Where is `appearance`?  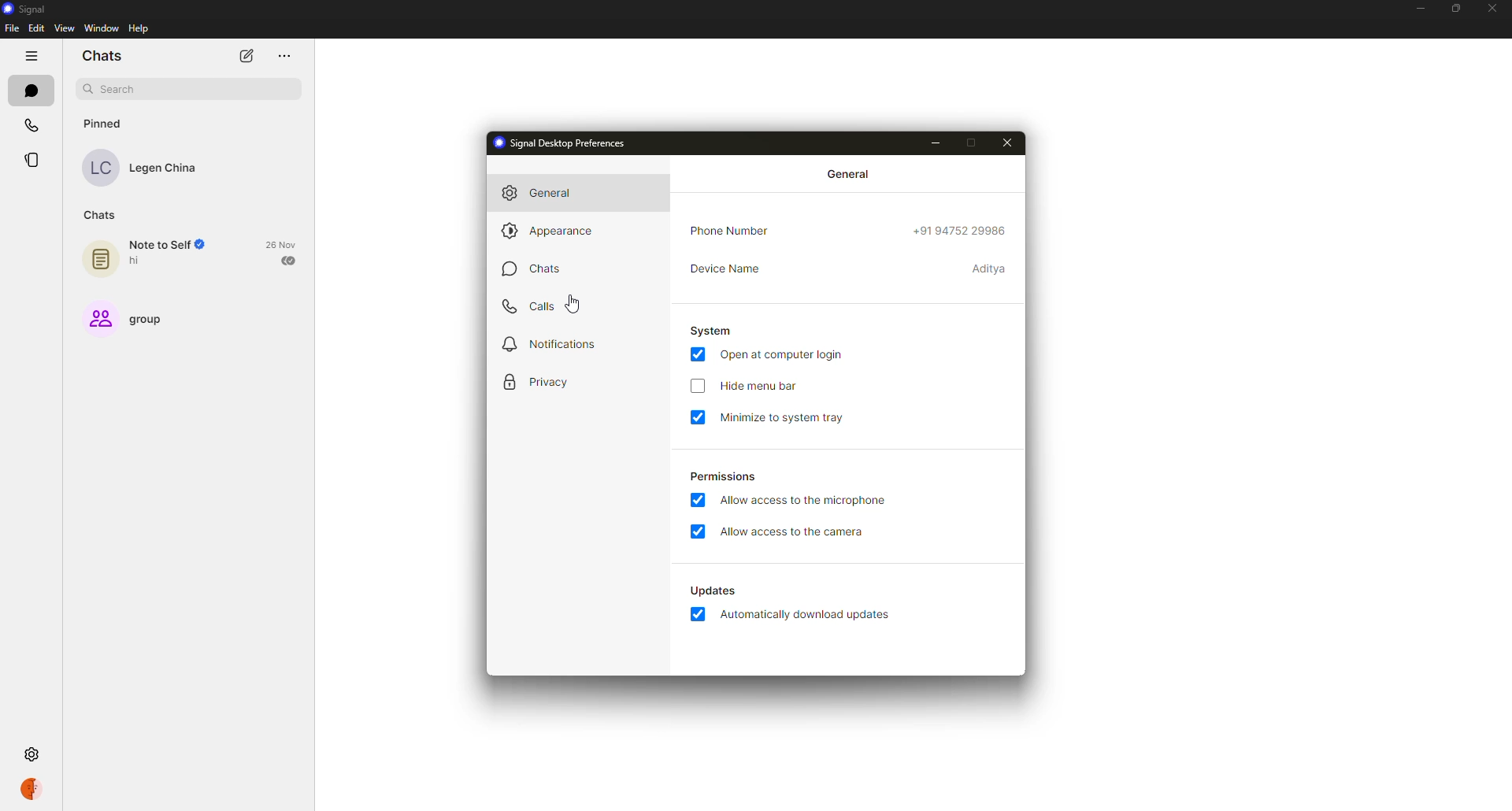 appearance is located at coordinates (554, 231).